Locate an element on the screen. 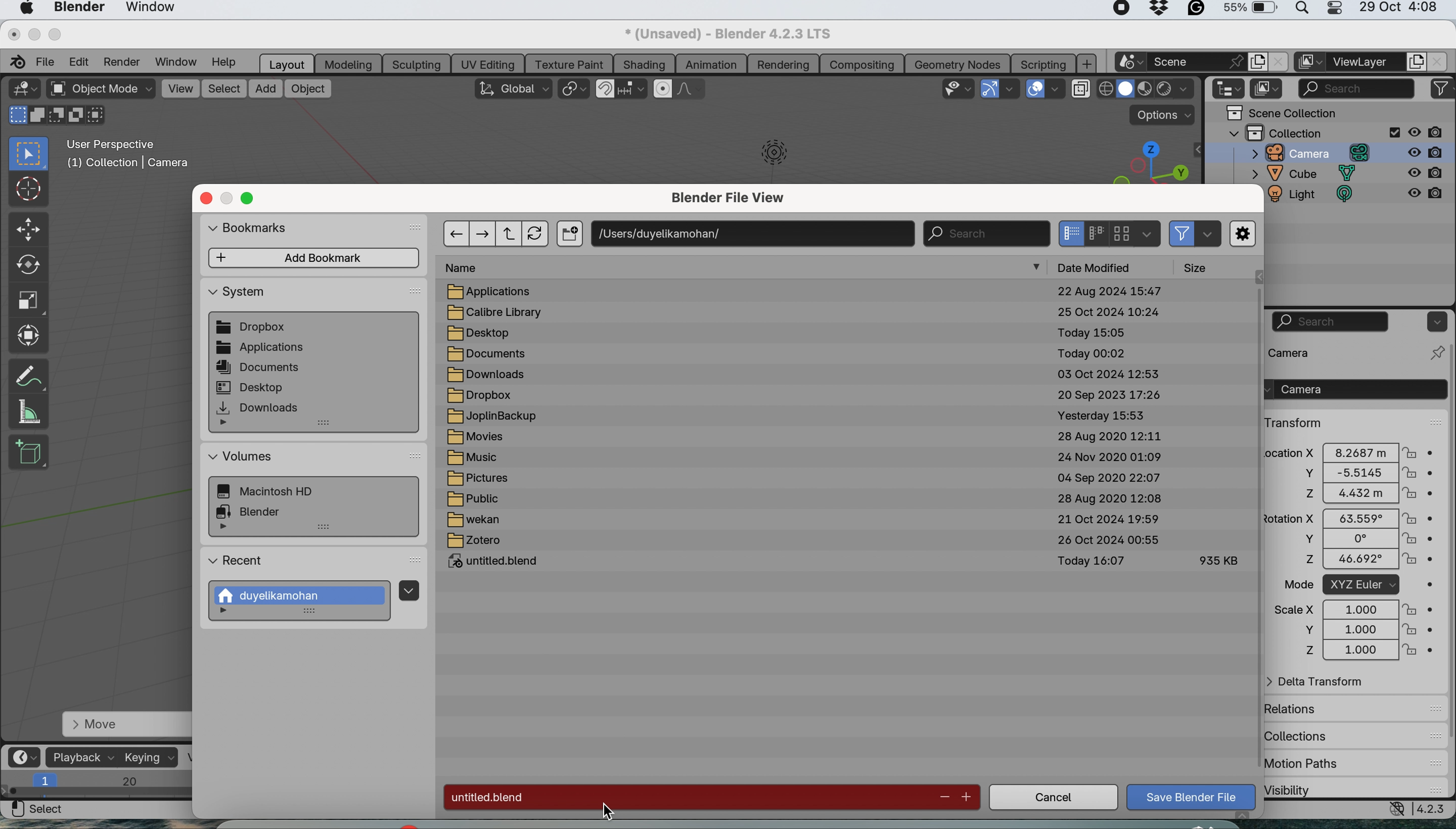 The width and height of the screenshot is (1456, 829). blender is located at coordinates (77, 9).